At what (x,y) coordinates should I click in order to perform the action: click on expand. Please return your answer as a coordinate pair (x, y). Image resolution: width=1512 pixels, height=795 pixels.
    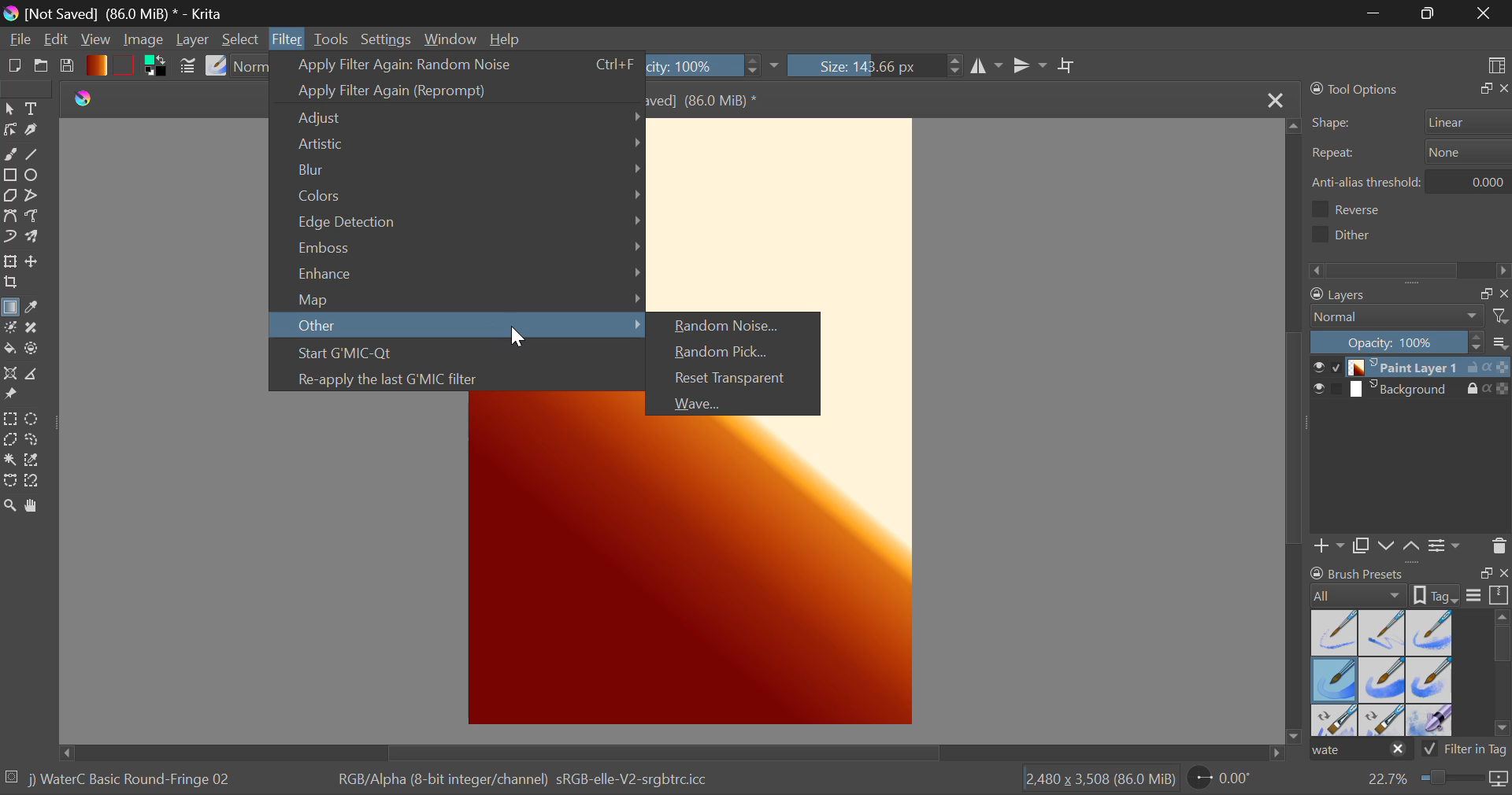
    Looking at the image, I should click on (1486, 573).